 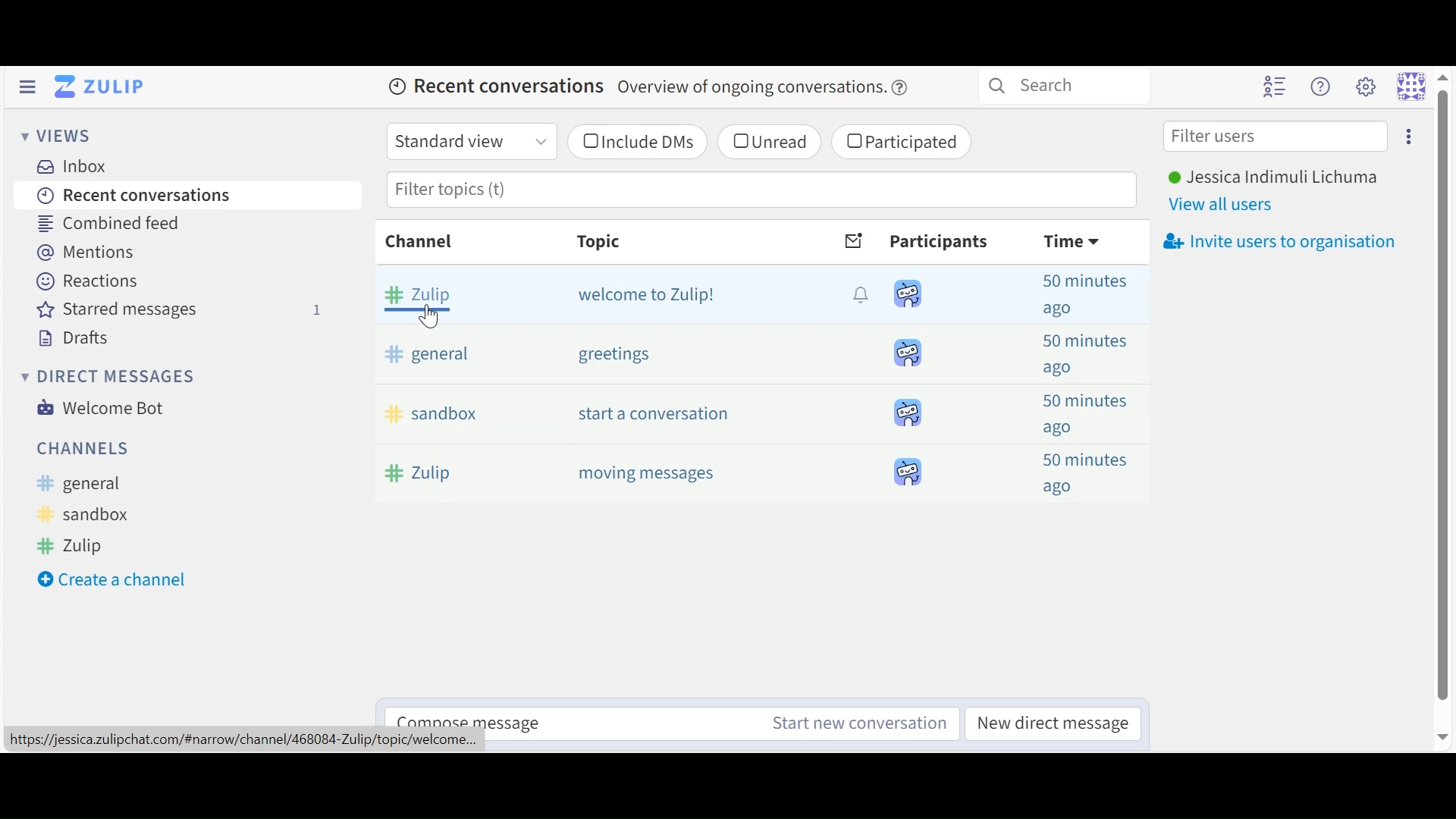 I want to click on Inbox, so click(x=71, y=166).